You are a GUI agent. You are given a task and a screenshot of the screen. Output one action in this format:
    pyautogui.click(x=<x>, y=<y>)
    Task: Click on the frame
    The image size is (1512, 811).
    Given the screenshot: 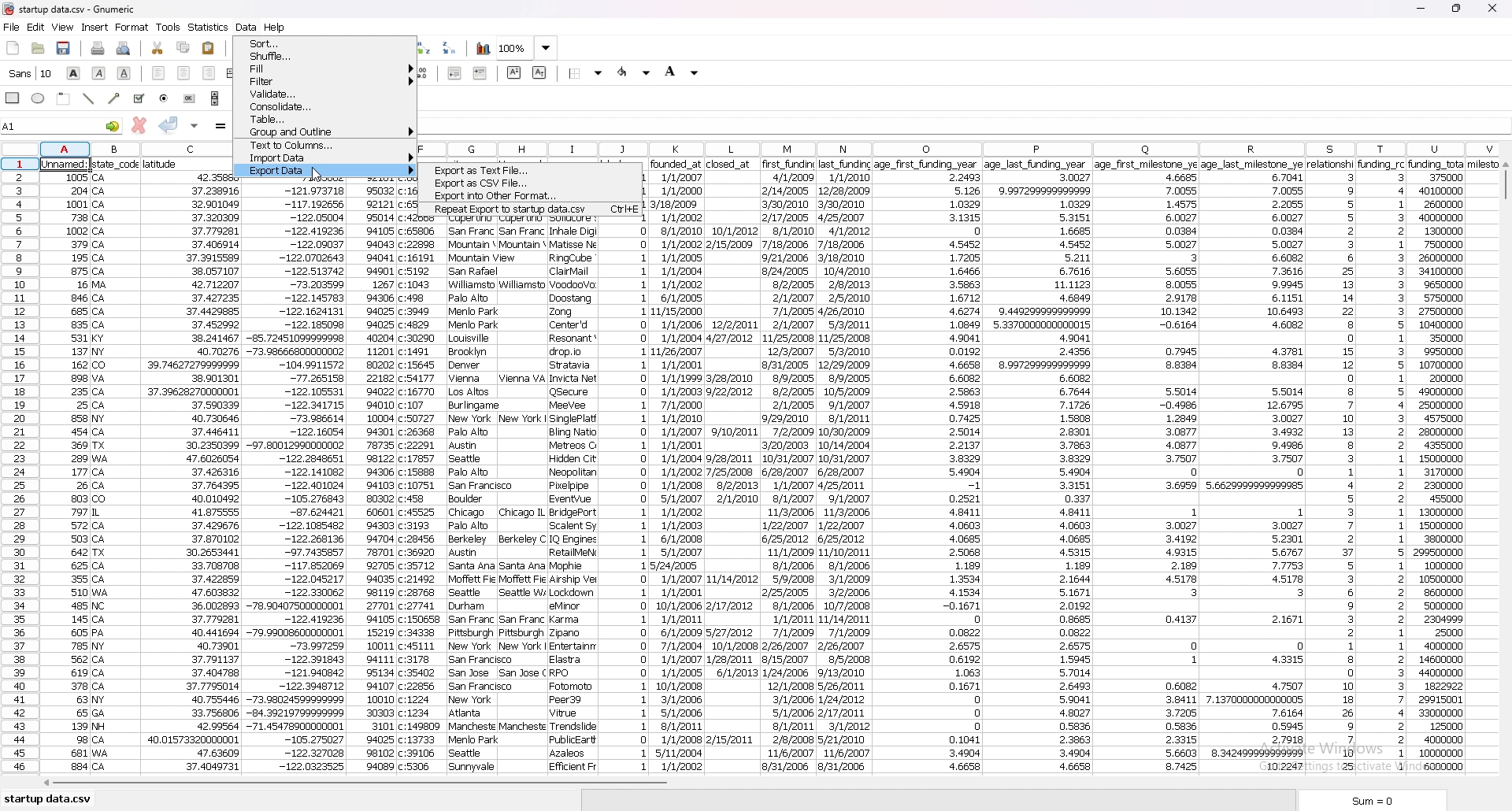 What is the action you would take?
    pyautogui.click(x=65, y=98)
    